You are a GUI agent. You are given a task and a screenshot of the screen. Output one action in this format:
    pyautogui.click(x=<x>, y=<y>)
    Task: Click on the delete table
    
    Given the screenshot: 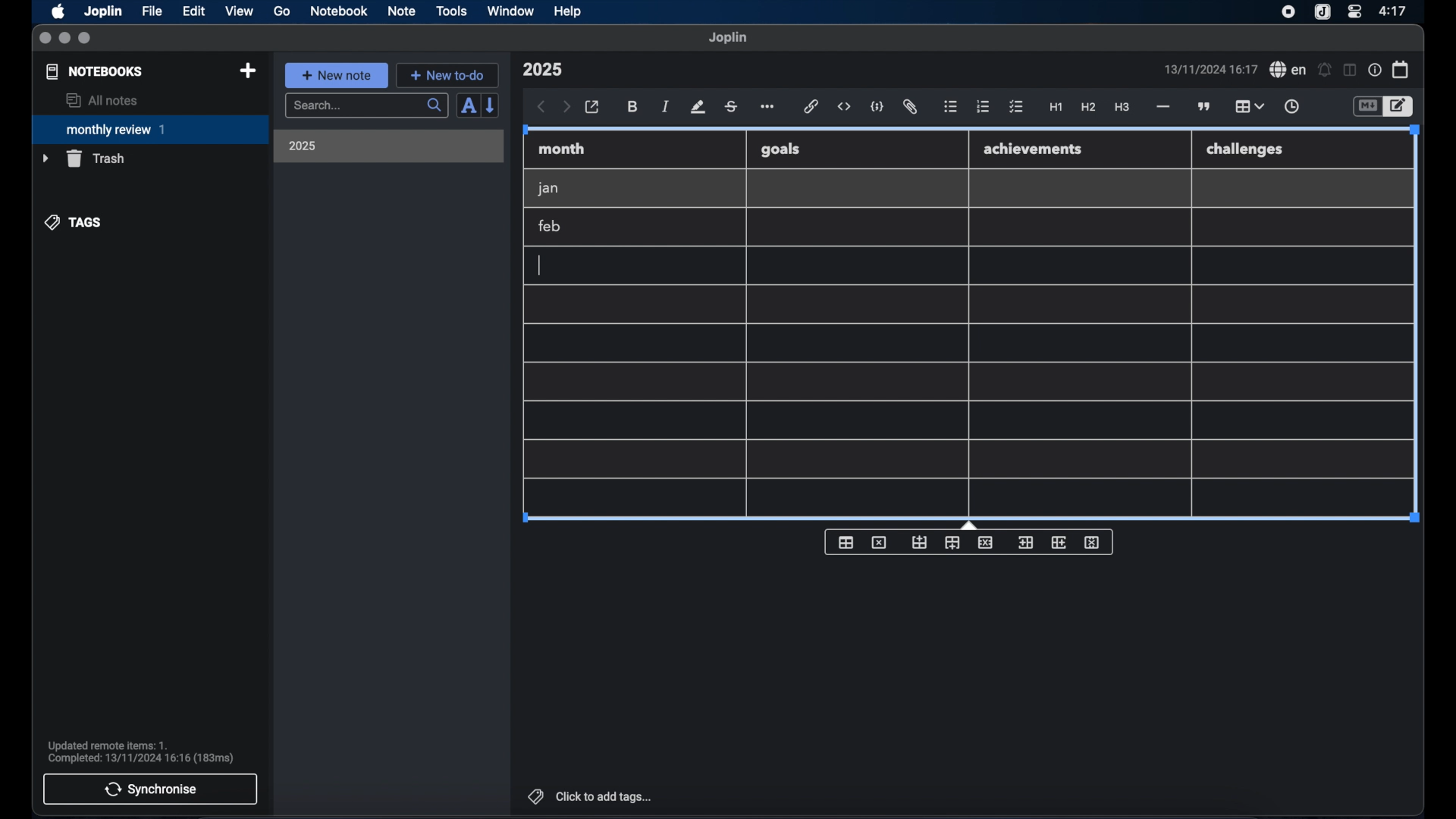 What is the action you would take?
    pyautogui.click(x=879, y=543)
    